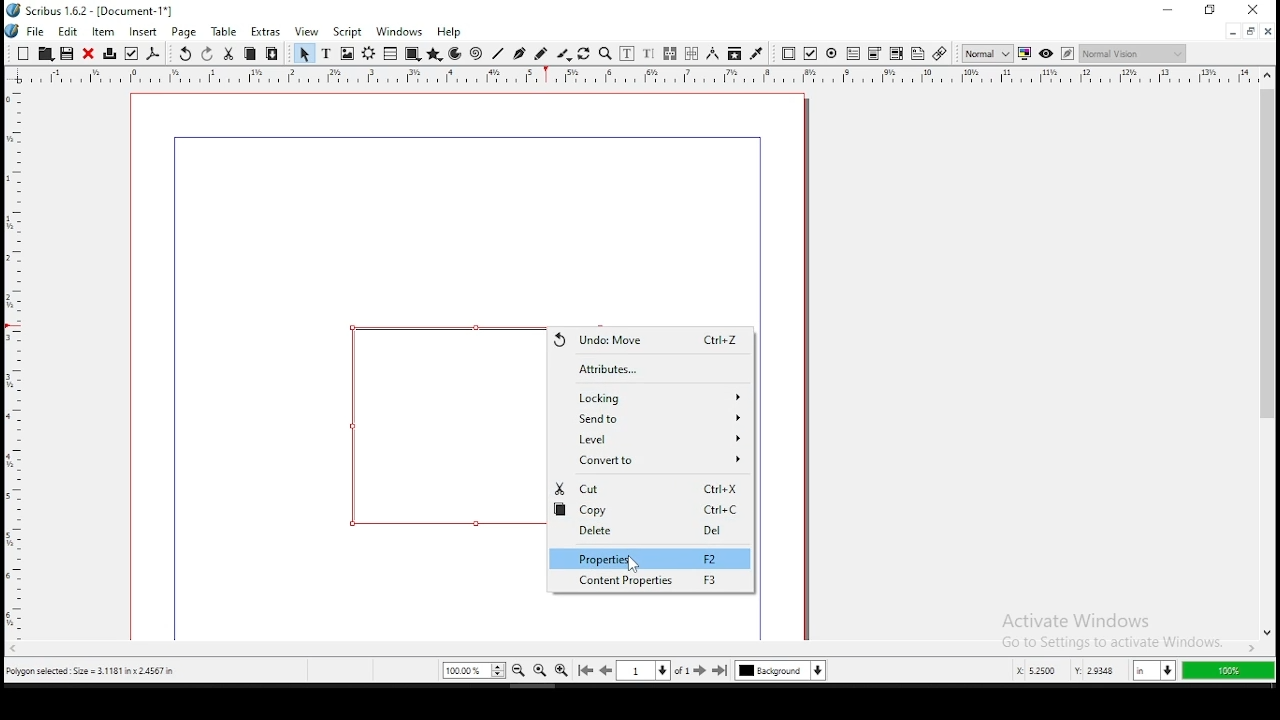 This screenshot has width=1280, height=720. Describe the element at coordinates (713, 54) in the screenshot. I see `measurement` at that location.